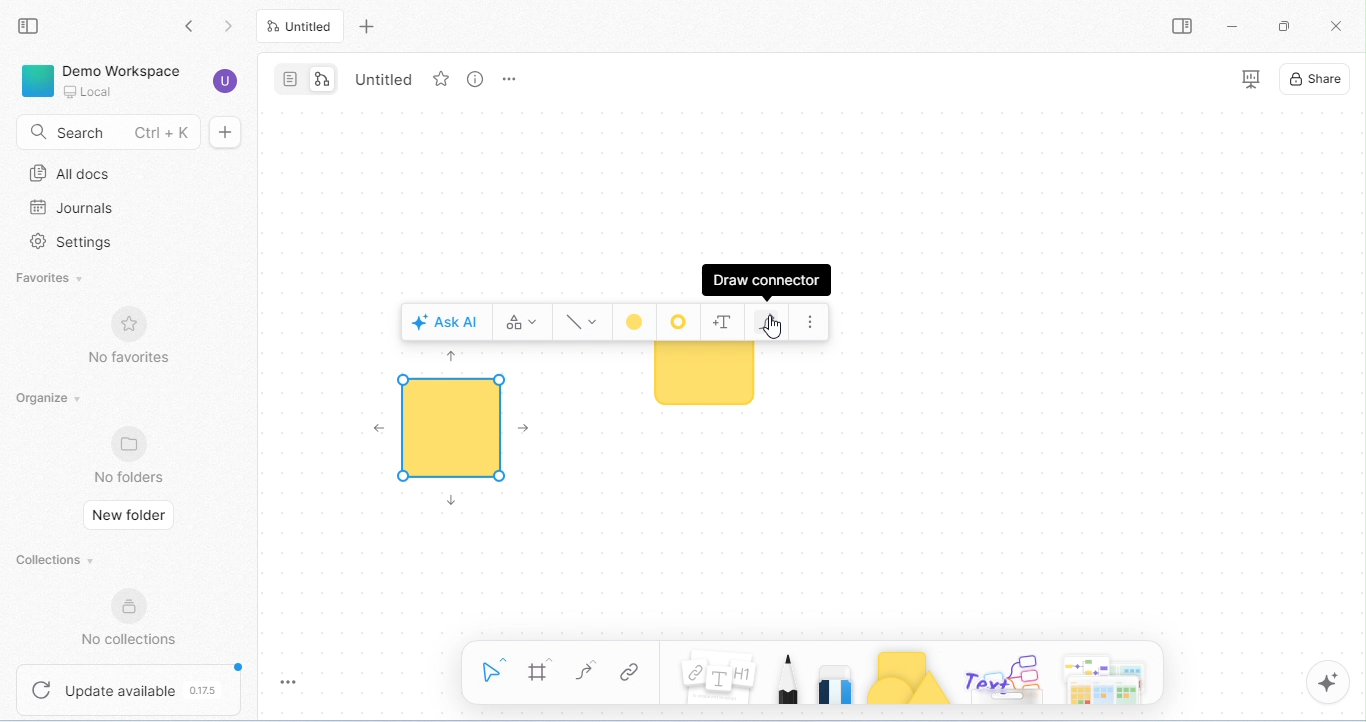 The image size is (1366, 722). Describe the element at coordinates (838, 677) in the screenshot. I see `eraser` at that location.